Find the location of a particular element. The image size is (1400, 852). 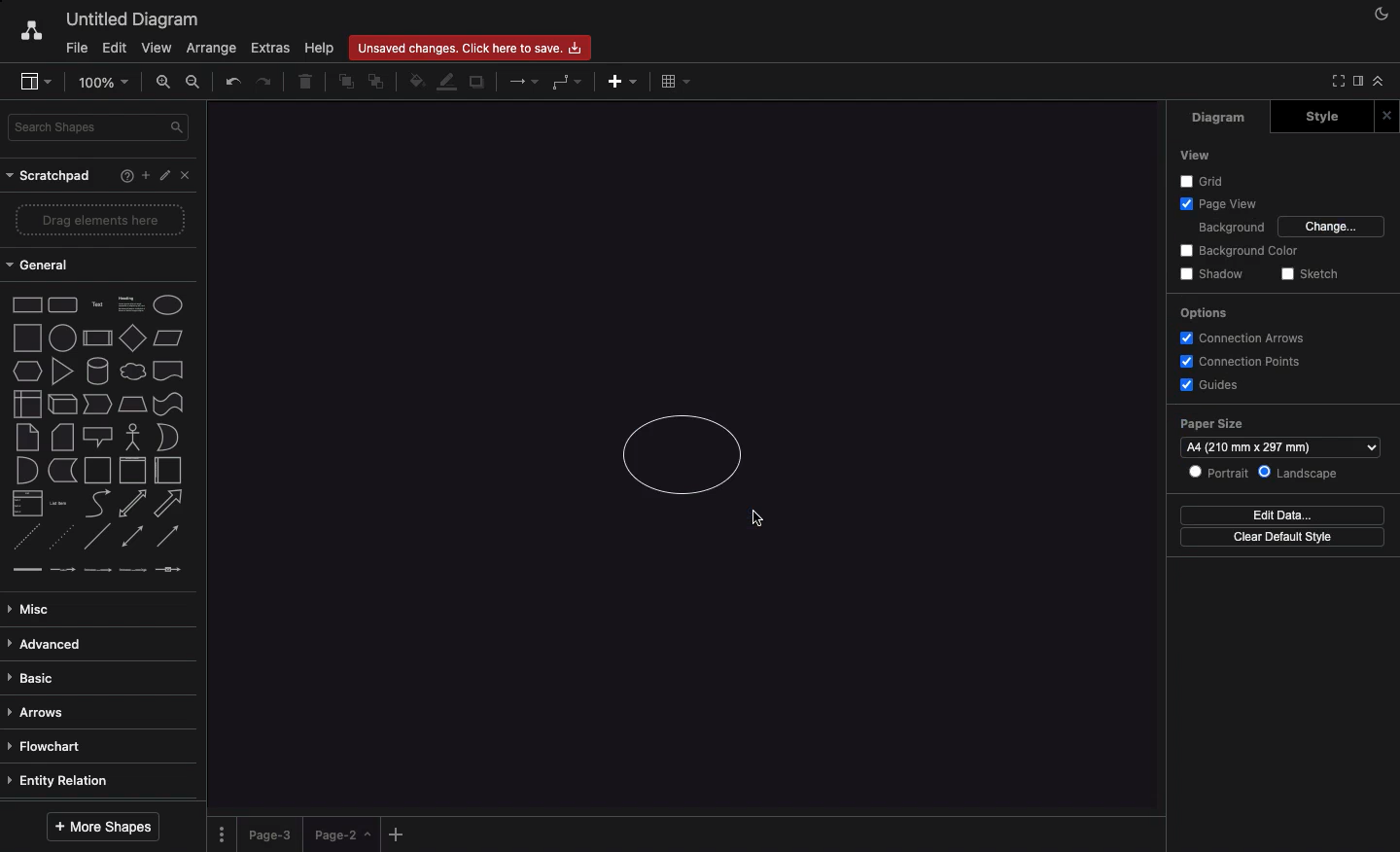

circle is located at coordinates (62, 337).